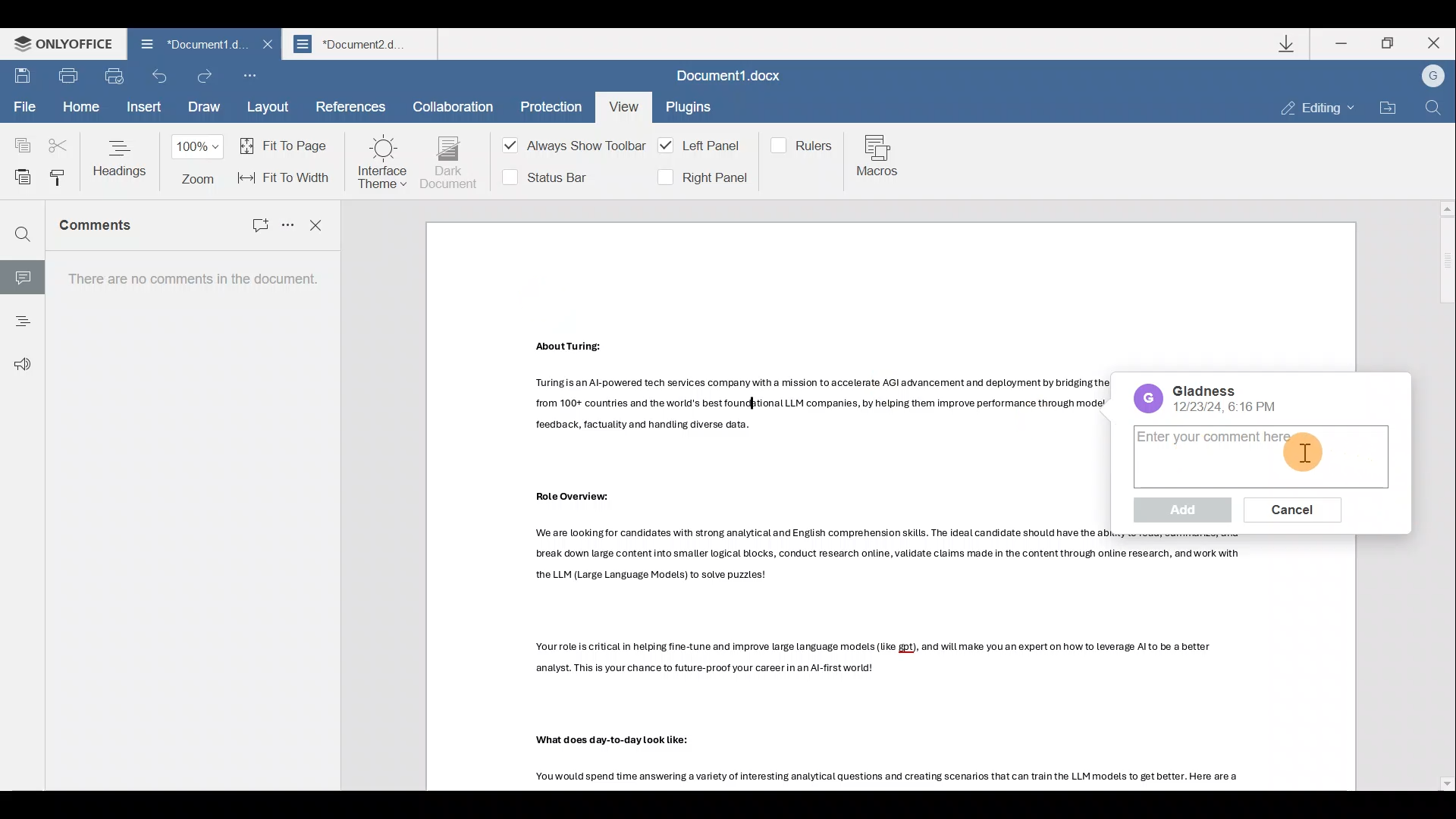  What do you see at coordinates (59, 140) in the screenshot?
I see `Cut` at bounding box center [59, 140].